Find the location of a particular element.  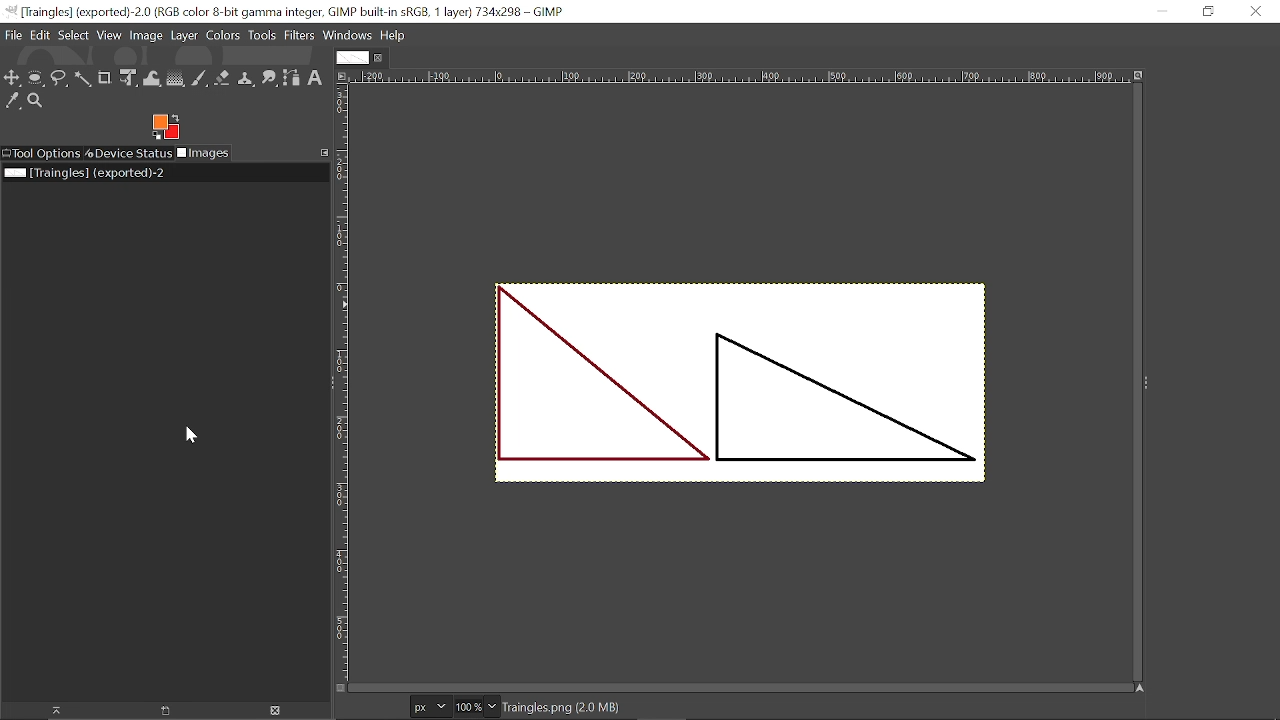

Current image is located at coordinates (740, 384).